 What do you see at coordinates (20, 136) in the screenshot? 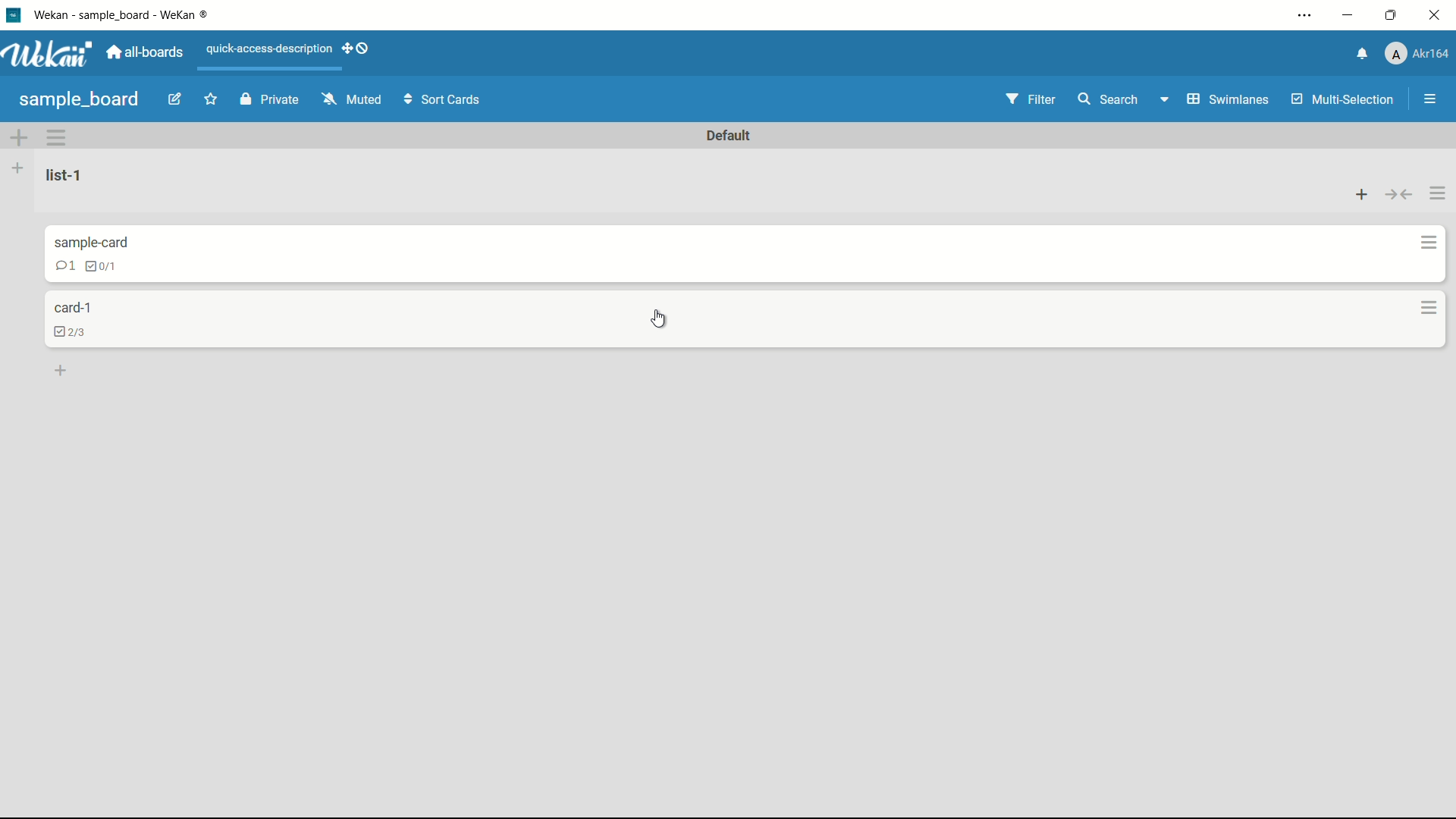
I see `add swimlane` at bounding box center [20, 136].